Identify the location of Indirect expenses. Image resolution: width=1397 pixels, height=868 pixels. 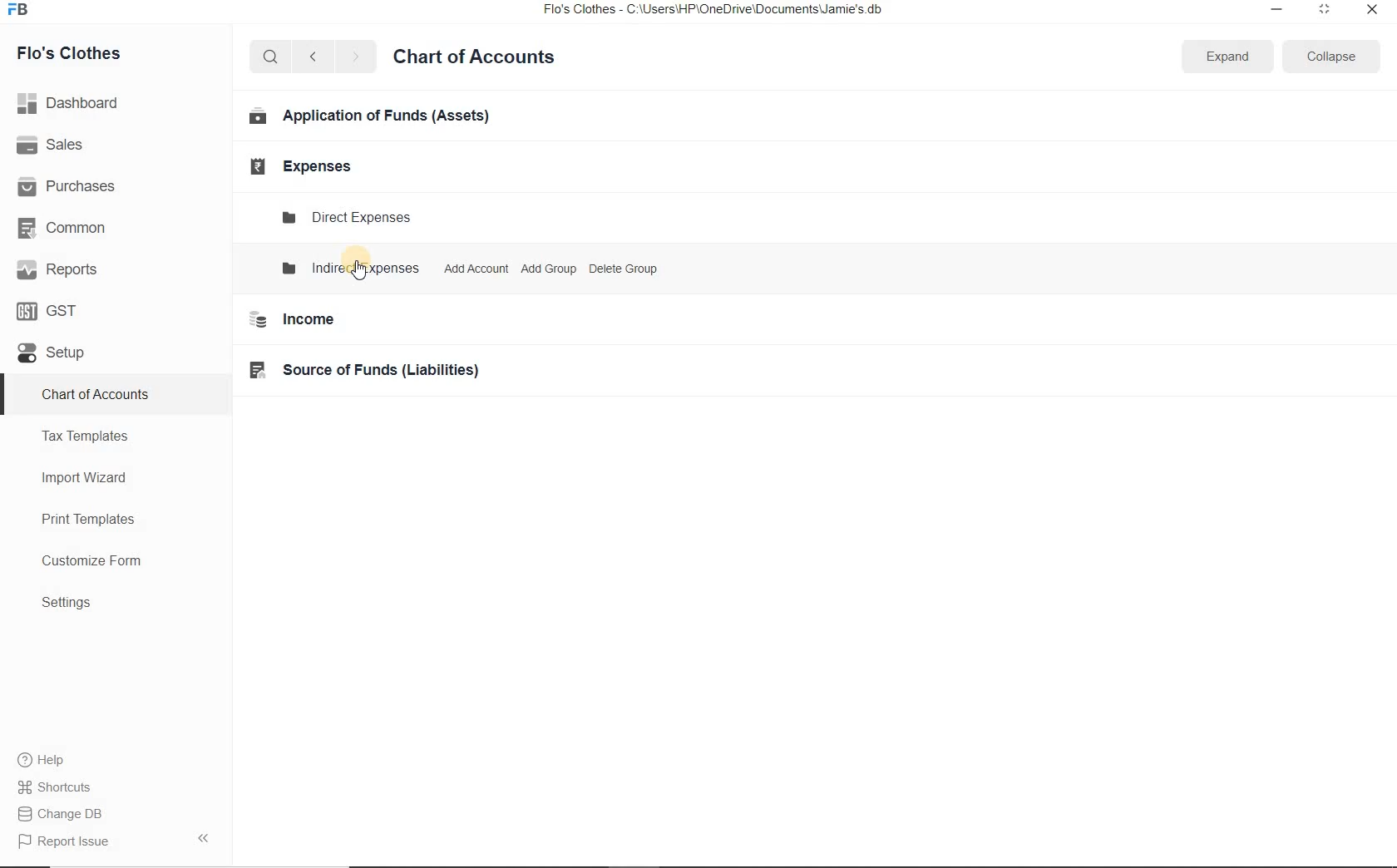
(353, 268).